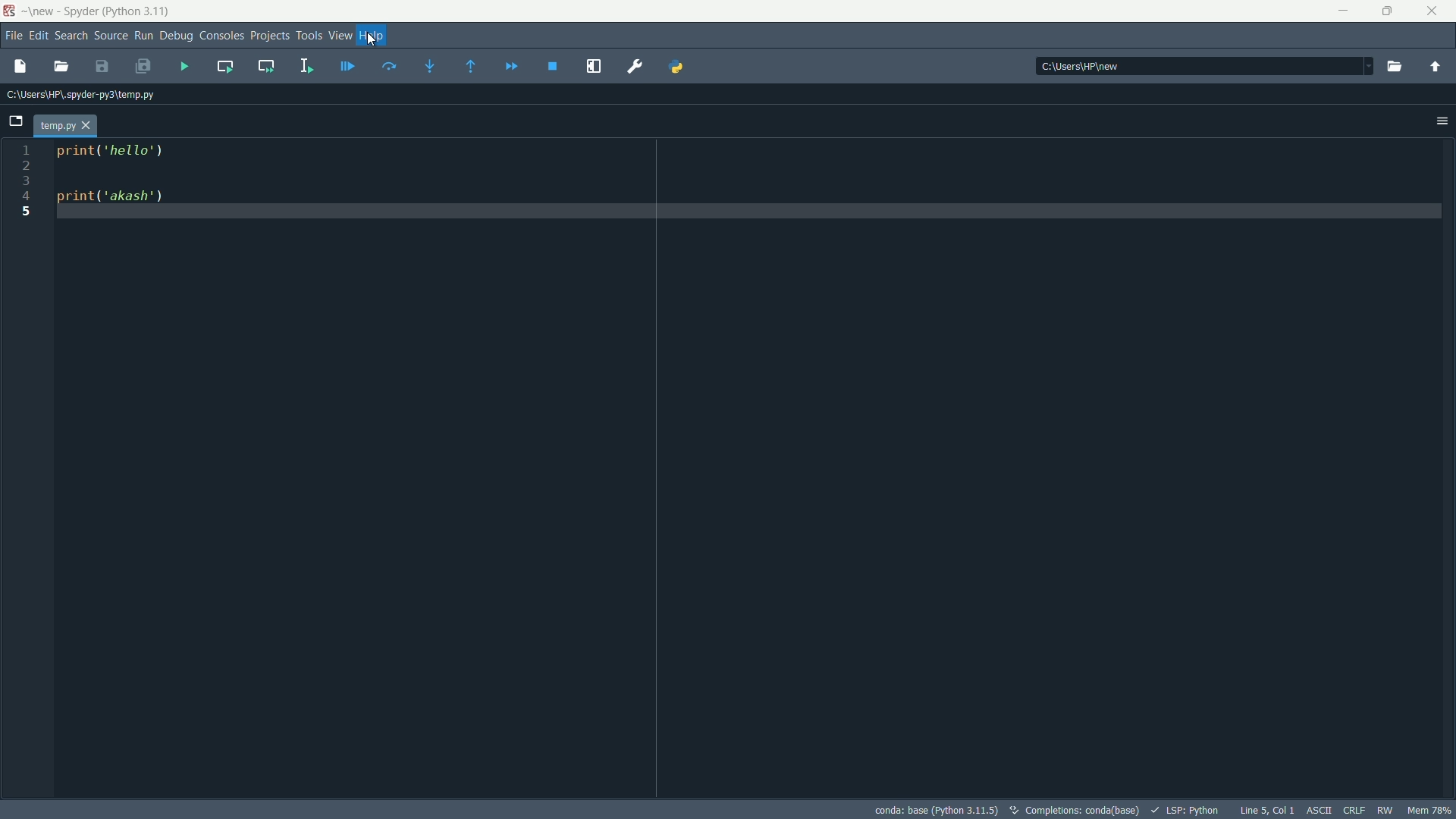 The height and width of the screenshot is (819, 1456). Describe the element at coordinates (221, 35) in the screenshot. I see `consoles menu` at that location.